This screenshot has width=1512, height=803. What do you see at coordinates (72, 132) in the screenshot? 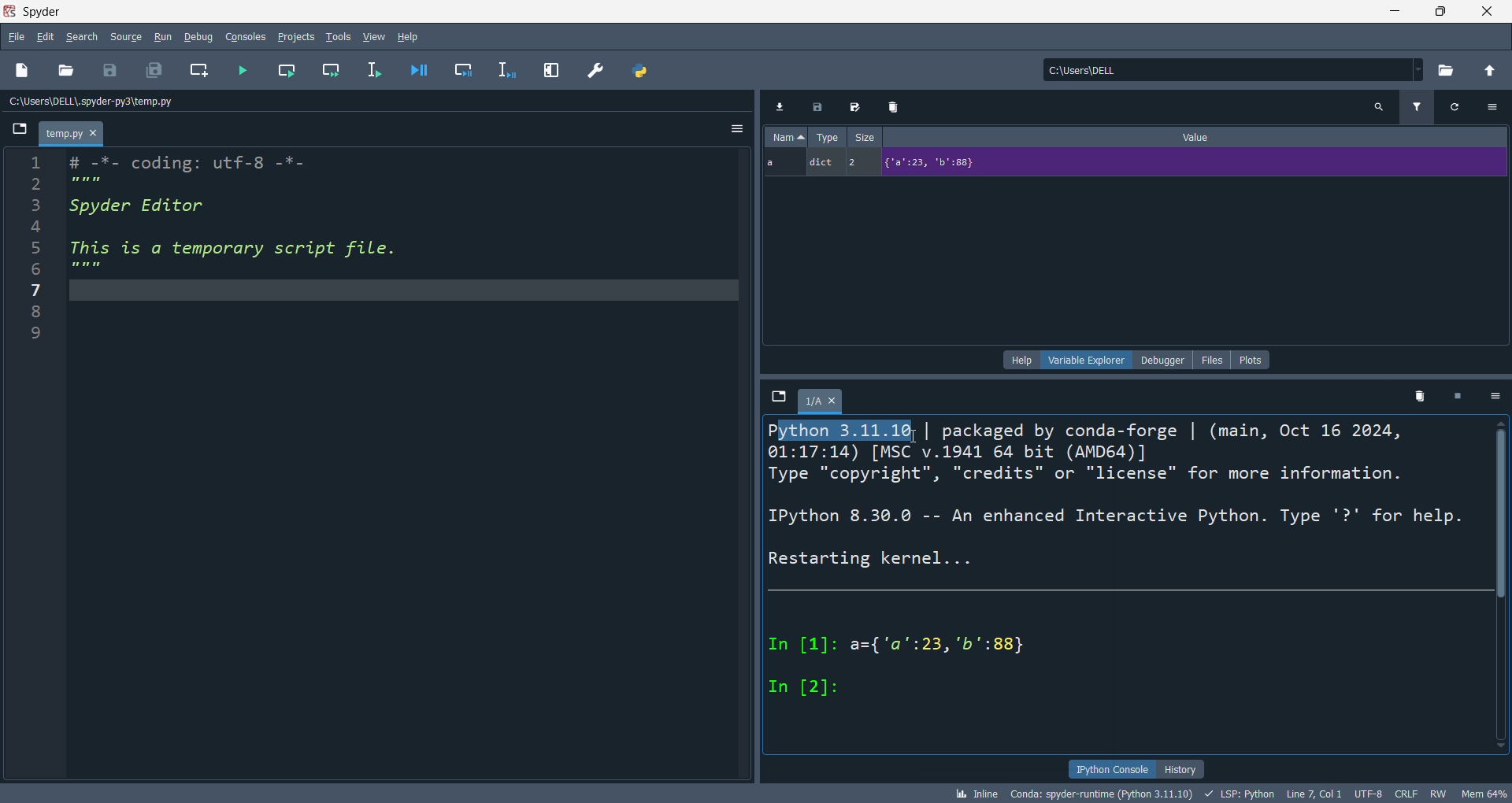
I see `temp.py tab` at bounding box center [72, 132].